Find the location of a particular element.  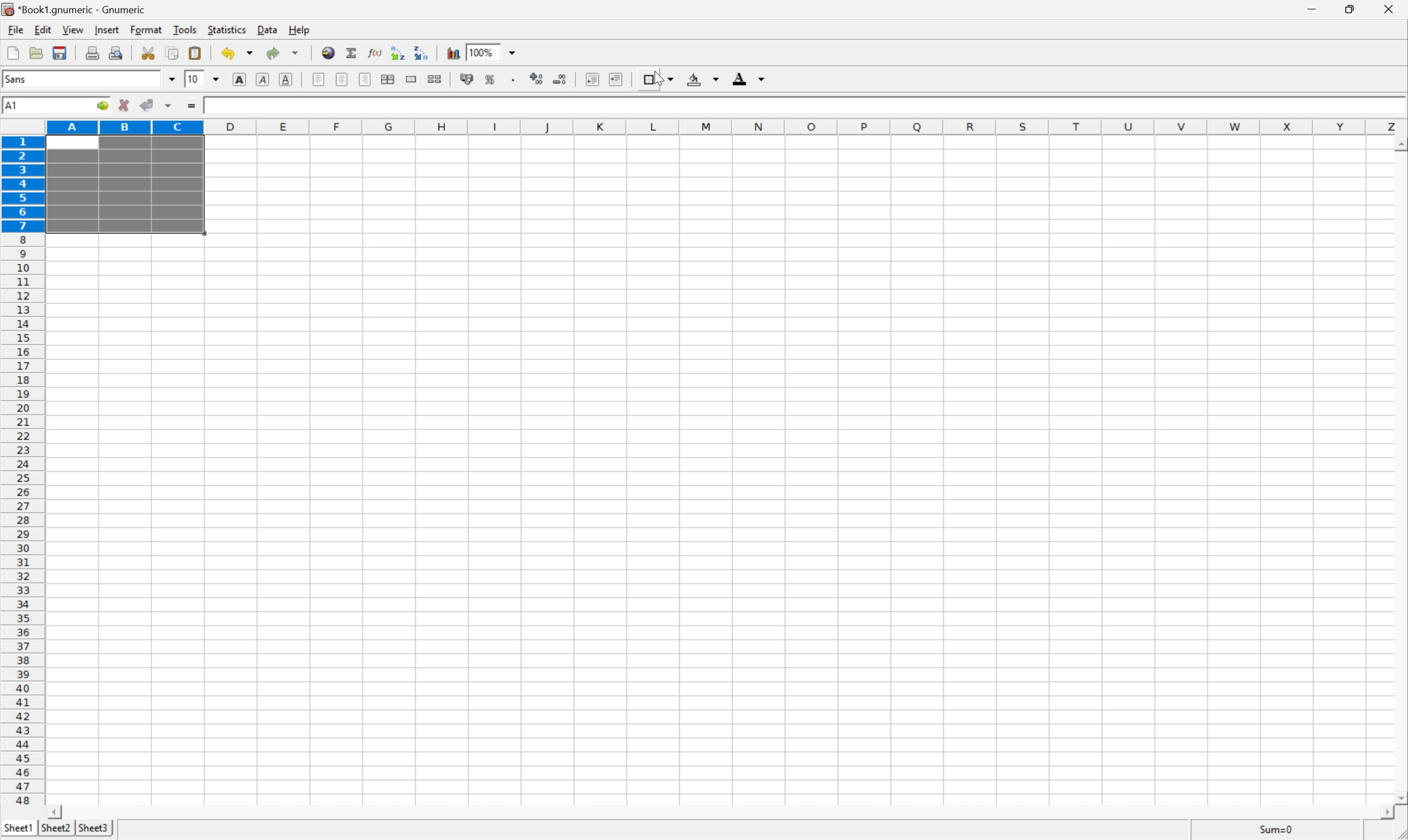

insert chart is located at coordinates (452, 52).